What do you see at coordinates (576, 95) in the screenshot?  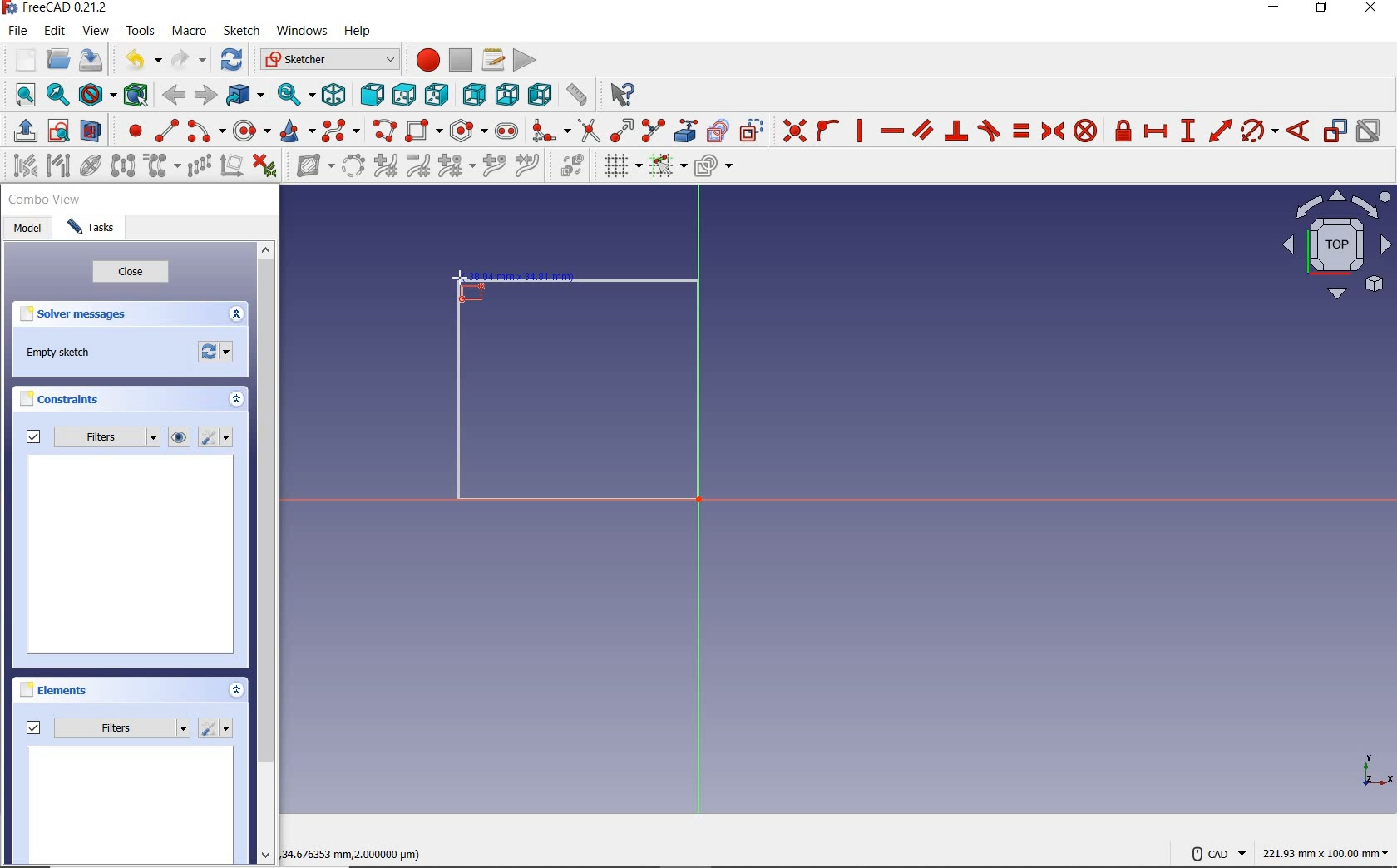 I see `measure distance` at bounding box center [576, 95].